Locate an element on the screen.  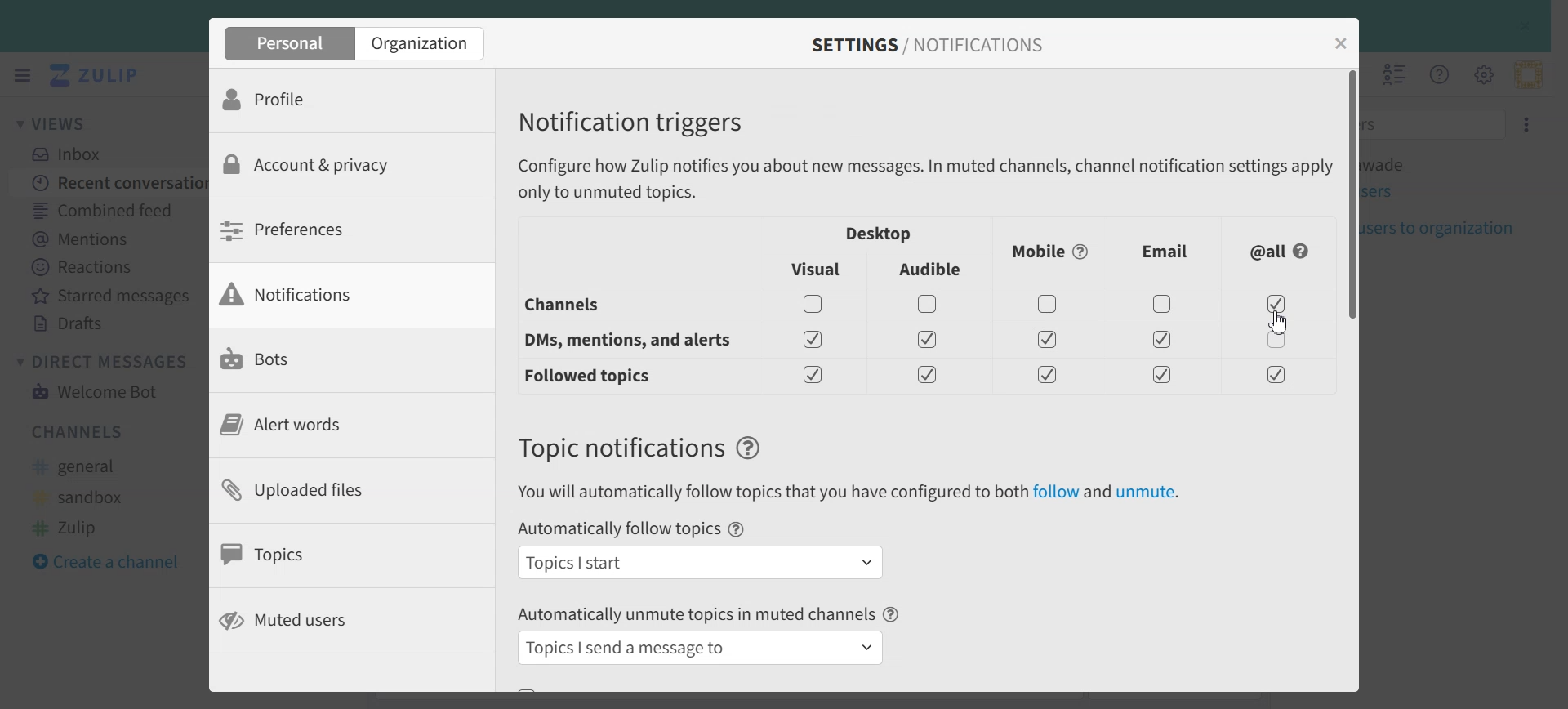
Organization is located at coordinates (423, 43).